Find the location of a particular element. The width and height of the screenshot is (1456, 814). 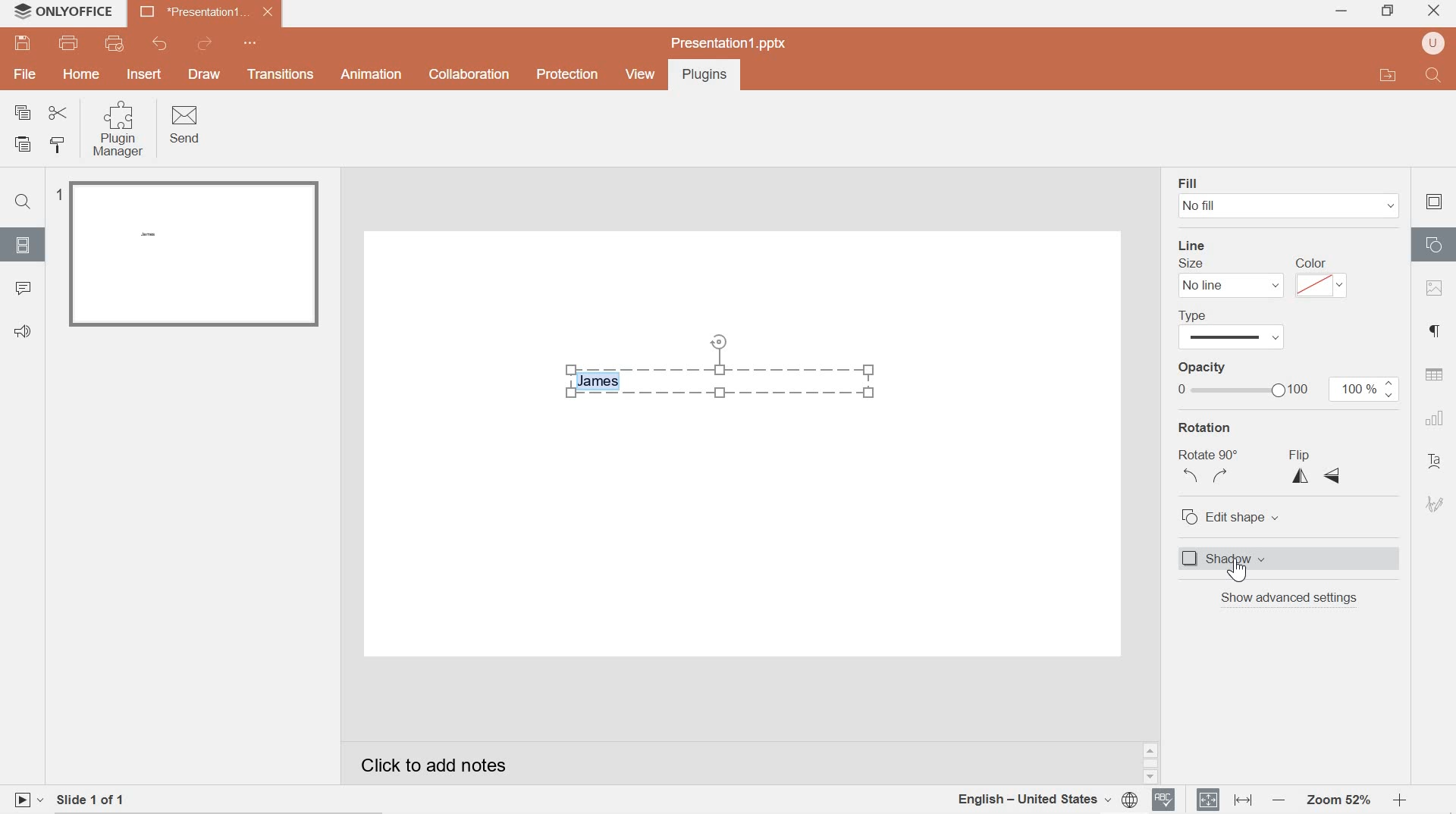

INSERT is located at coordinates (146, 74).